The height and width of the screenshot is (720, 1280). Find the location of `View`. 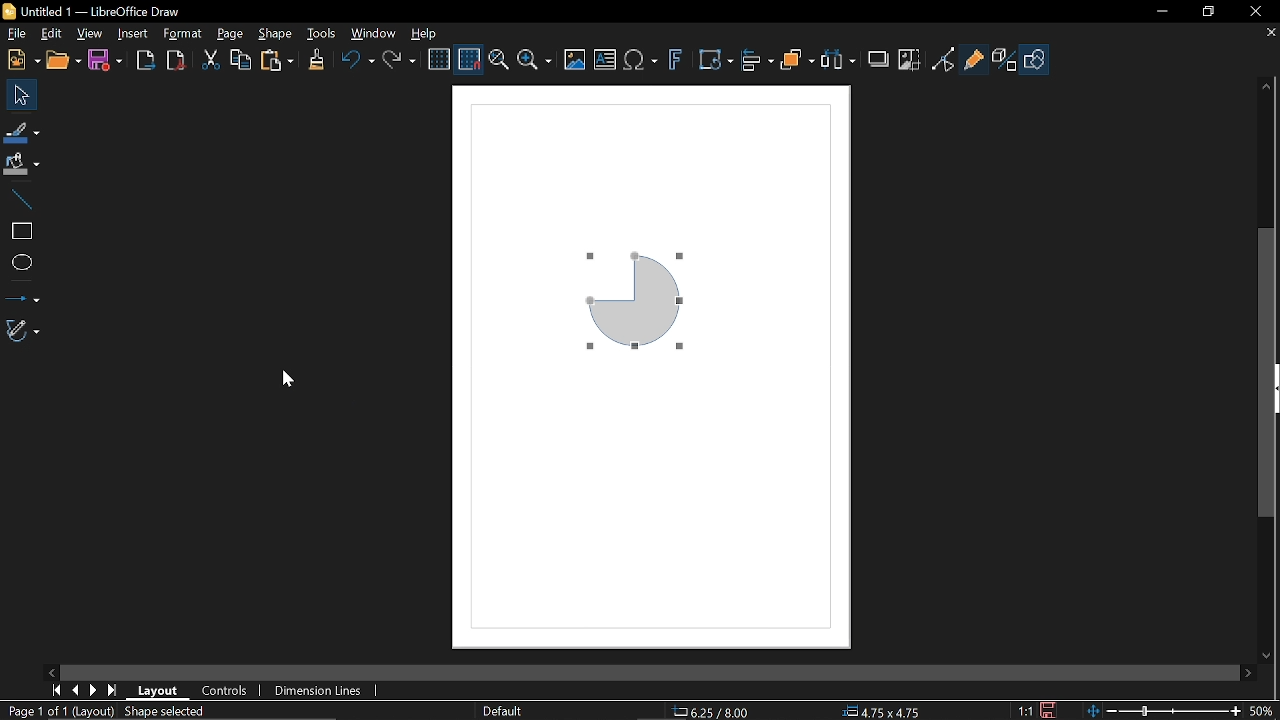

View is located at coordinates (88, 34).